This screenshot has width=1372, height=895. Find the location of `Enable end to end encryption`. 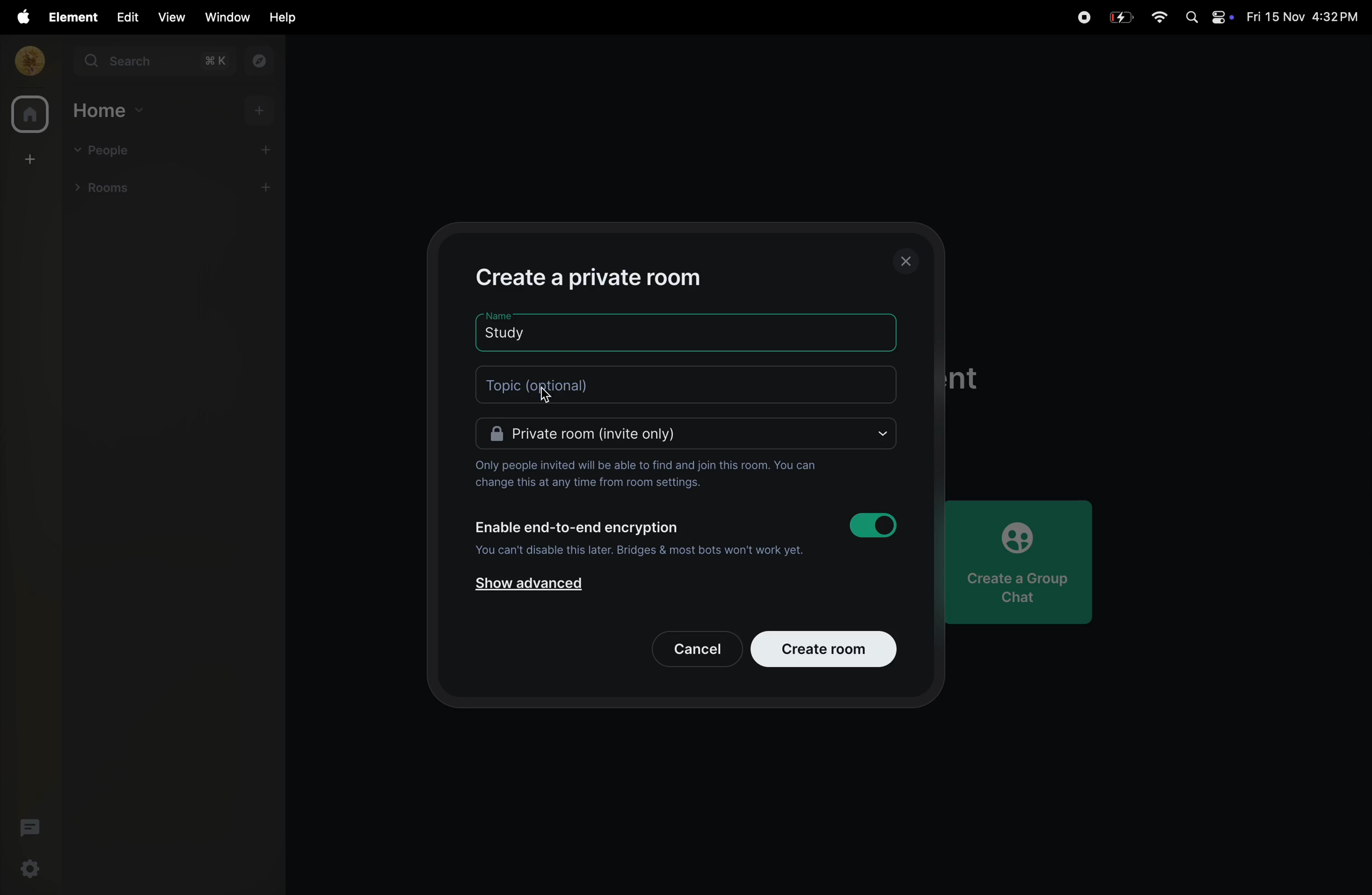

Enable end to end encryption is located at coordinates (578, 527).